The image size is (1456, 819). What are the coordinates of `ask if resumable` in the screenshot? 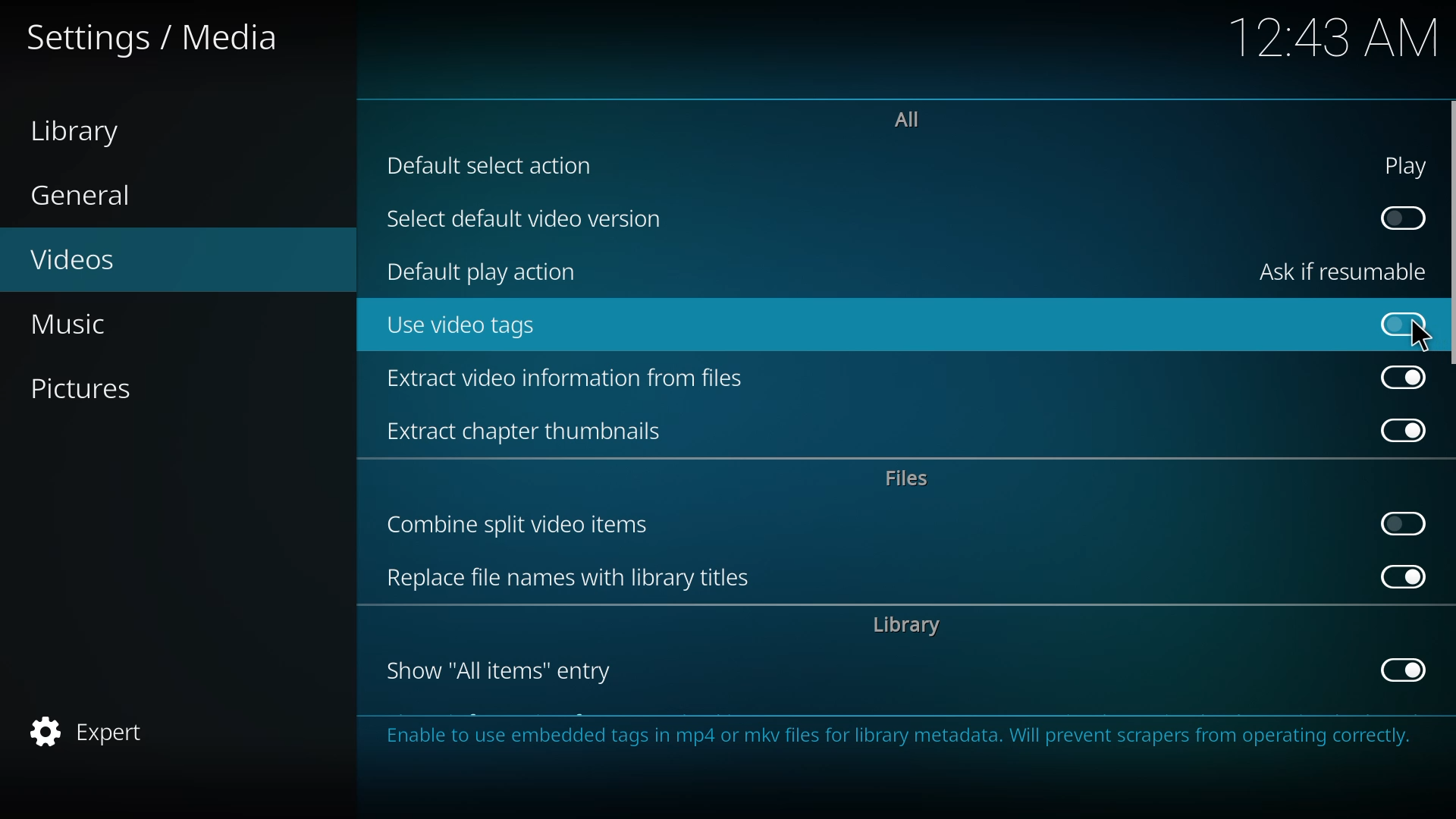 It's located at (1348, 270).